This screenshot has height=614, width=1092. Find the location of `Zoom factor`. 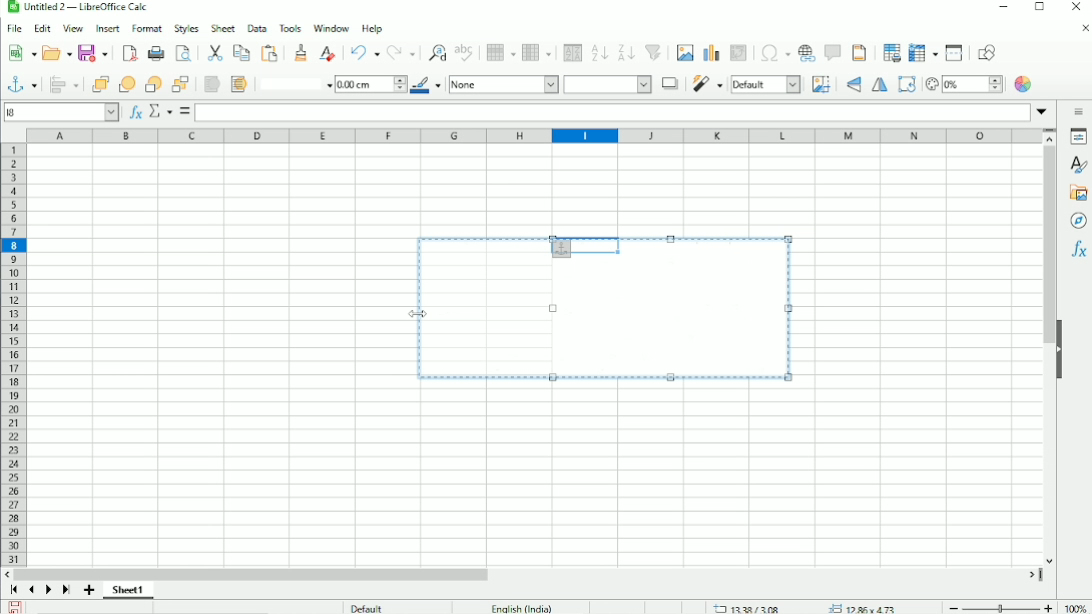

Zoom factor is located at coordinates (1073, 606).